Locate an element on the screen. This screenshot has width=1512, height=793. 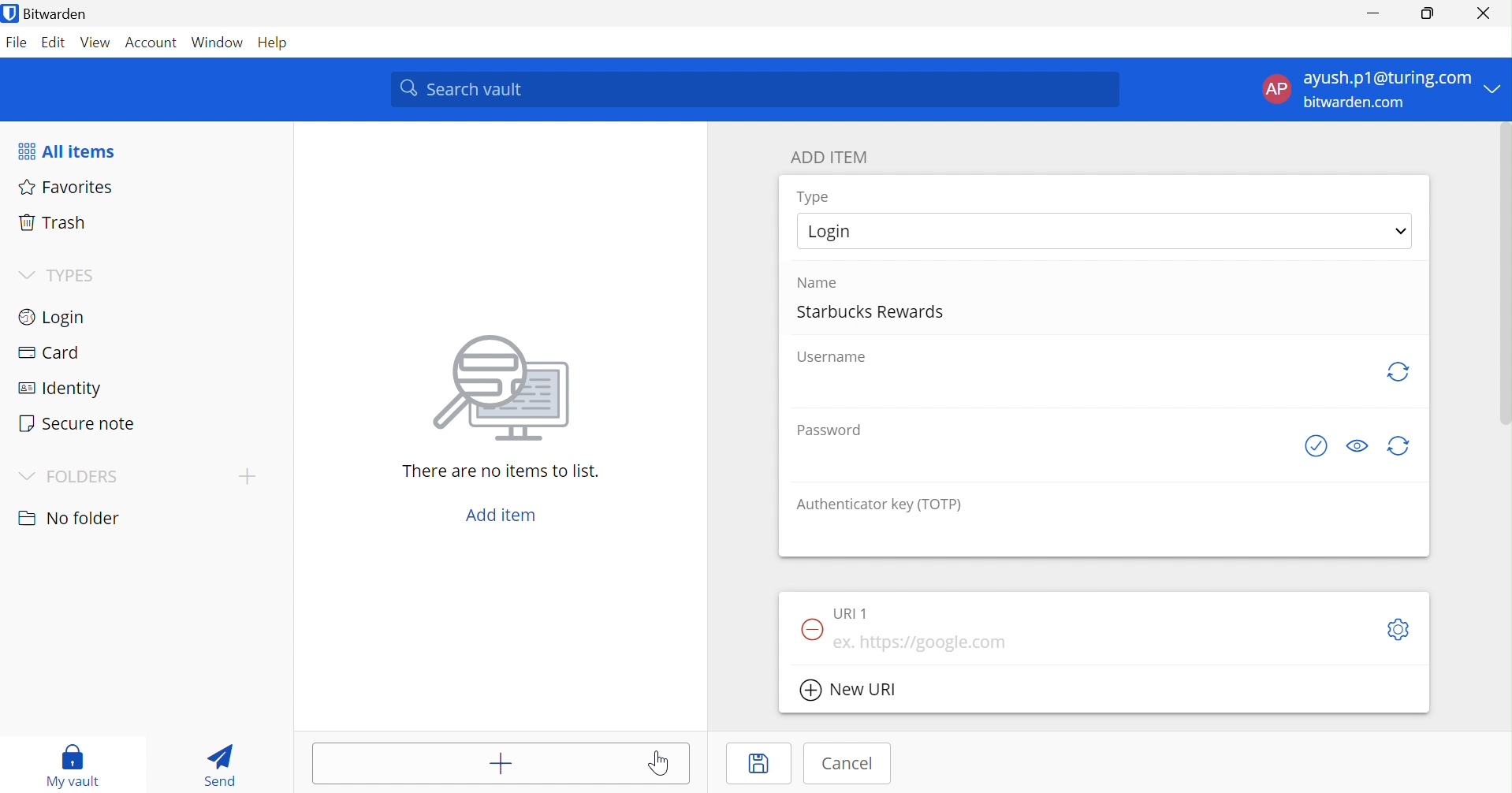
Drop Down is located at coordinates (28, 477).